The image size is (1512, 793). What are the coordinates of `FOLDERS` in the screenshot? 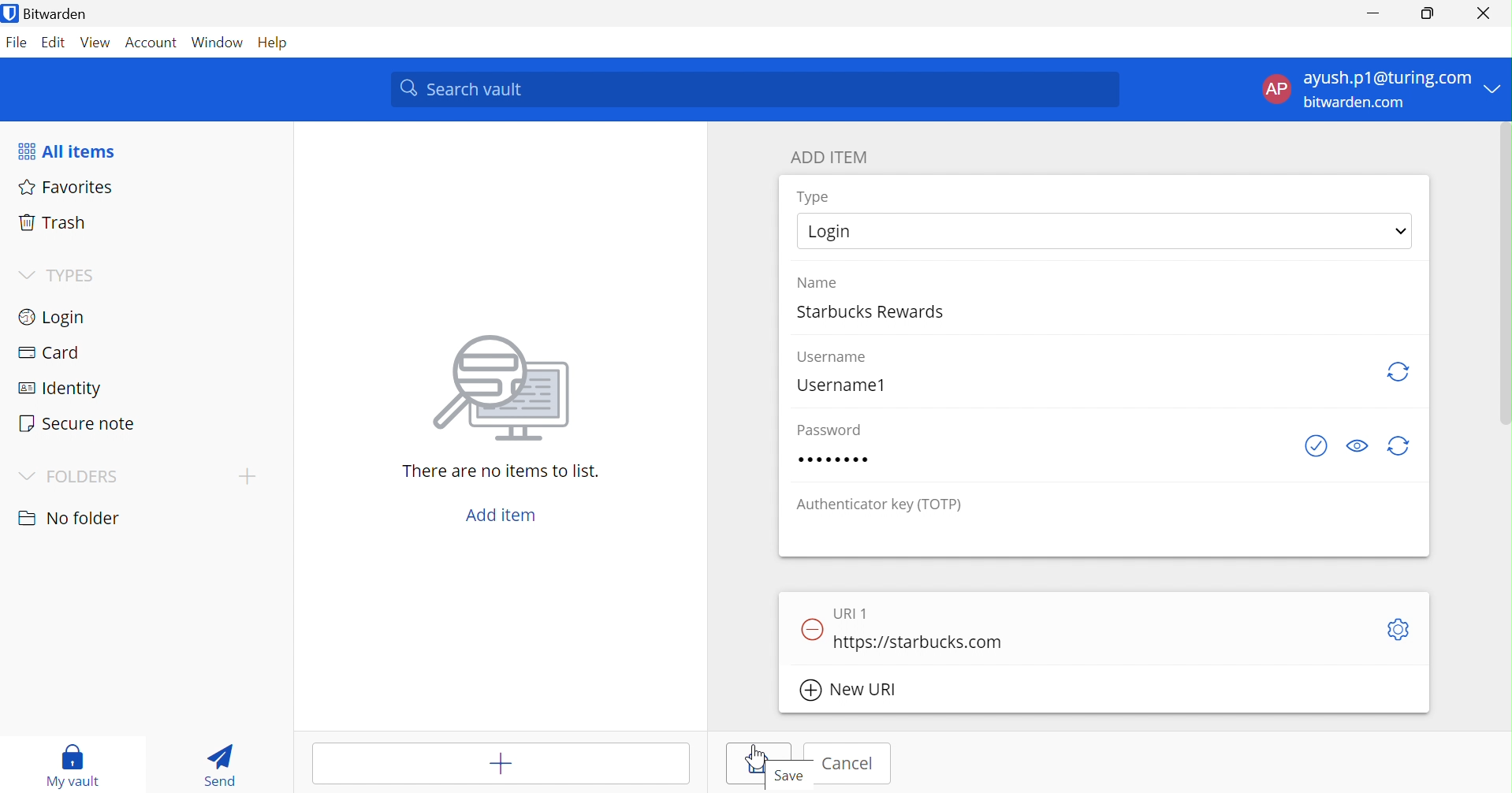 It's located at (84, 478).